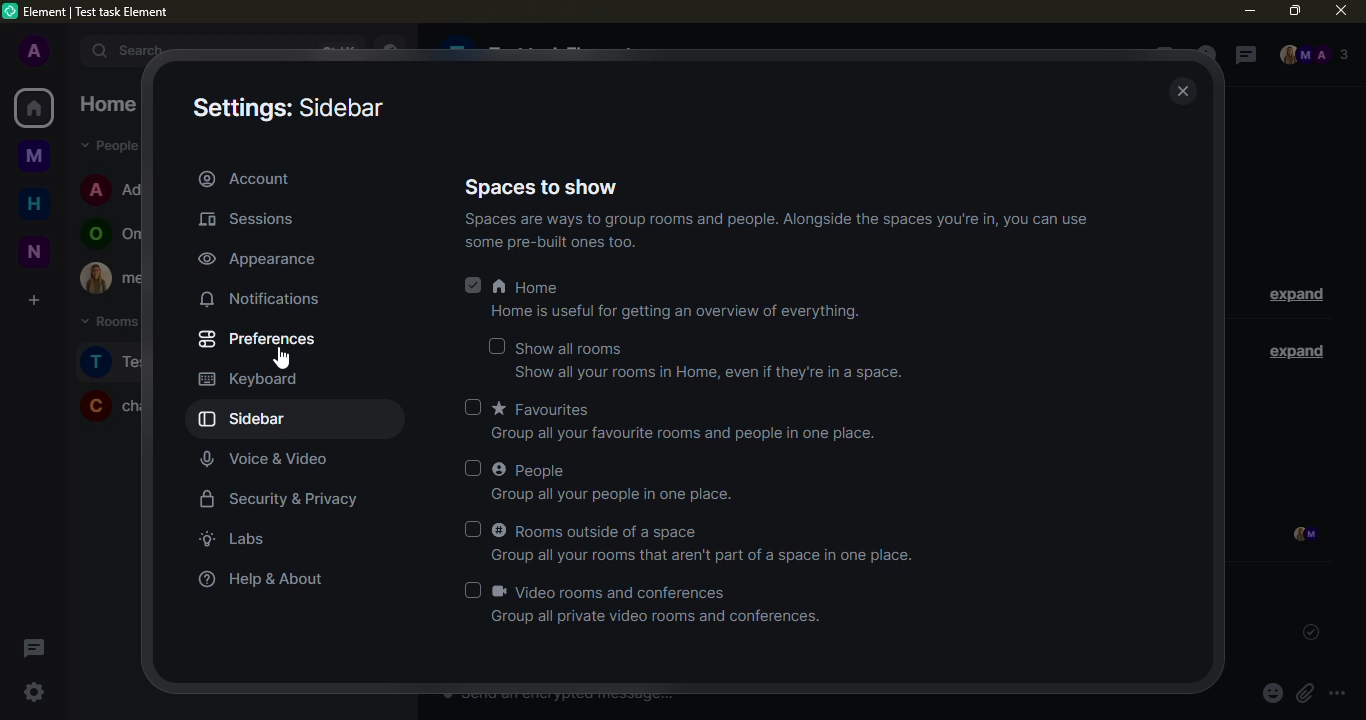 The height and width of the screenshot is (720, 1366). Describe the element at coordinates (1184, 92) in the screenshot. I see `close` at that location.